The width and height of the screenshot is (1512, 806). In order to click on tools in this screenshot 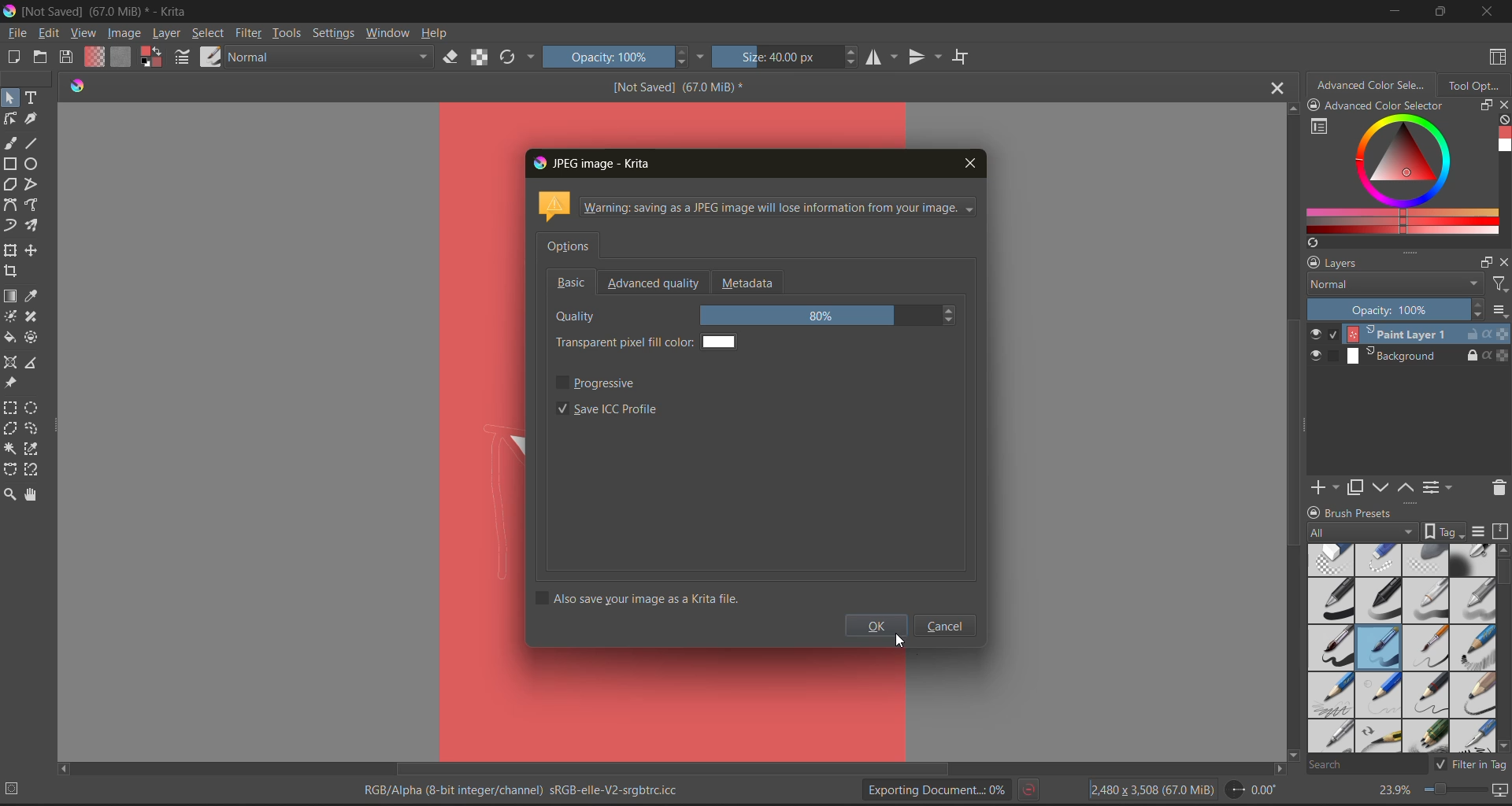, I will do `click(9, 226)`.